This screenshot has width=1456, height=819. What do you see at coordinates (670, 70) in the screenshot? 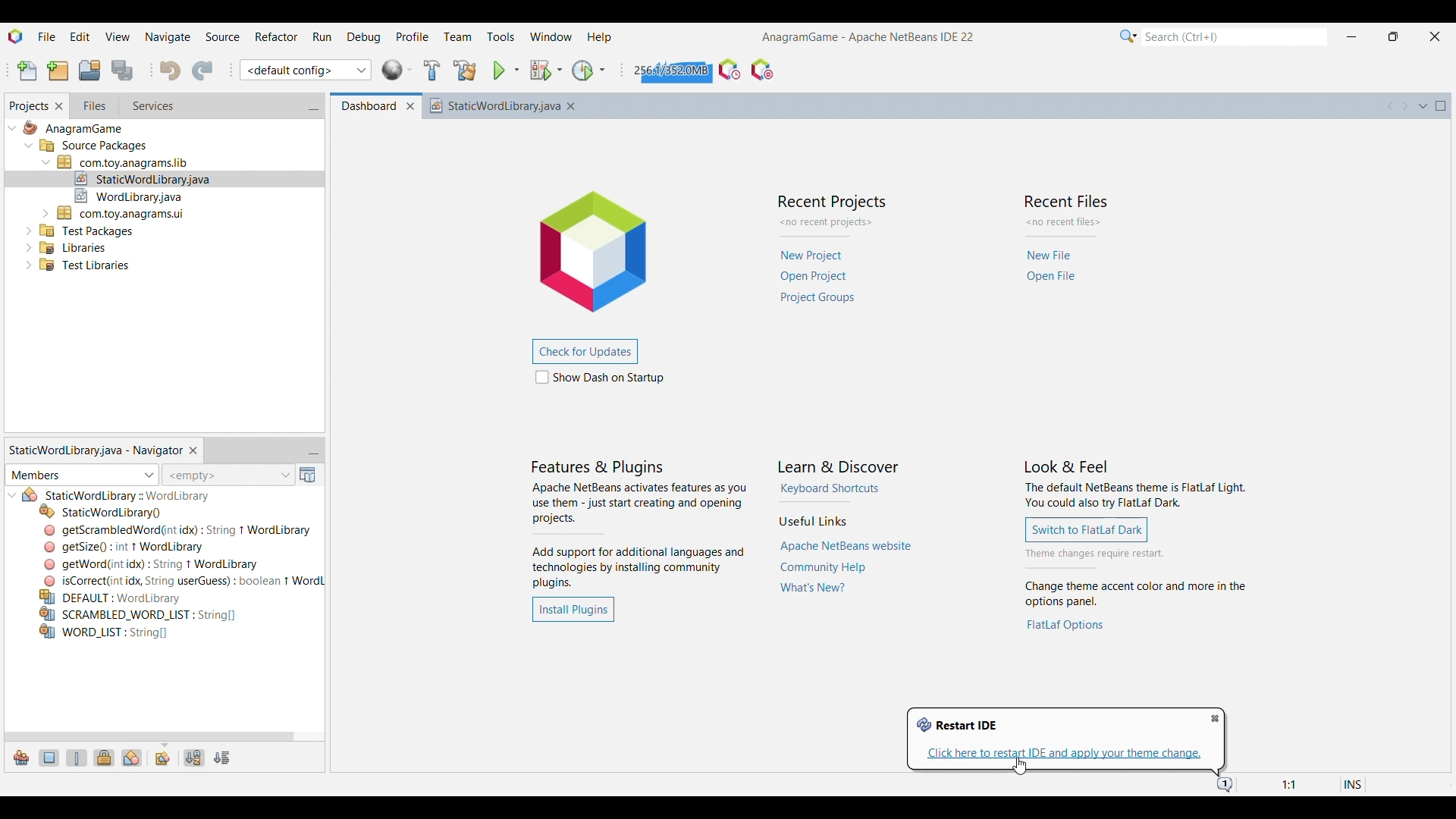
I see `Click to force garbage collection` at bounding box center [670, 70].